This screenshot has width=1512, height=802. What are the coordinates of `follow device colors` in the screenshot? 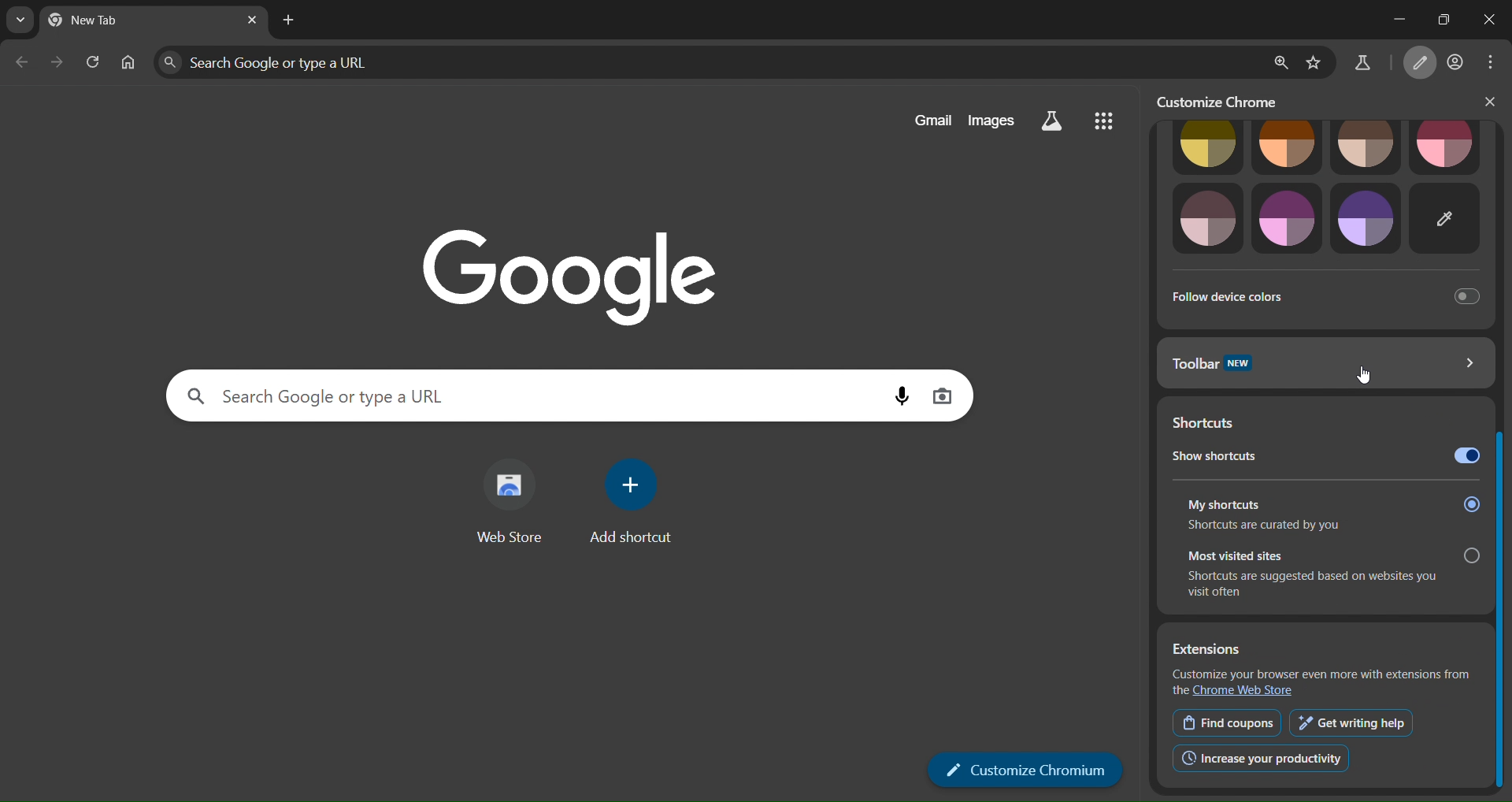 It's located at (1319, 295).